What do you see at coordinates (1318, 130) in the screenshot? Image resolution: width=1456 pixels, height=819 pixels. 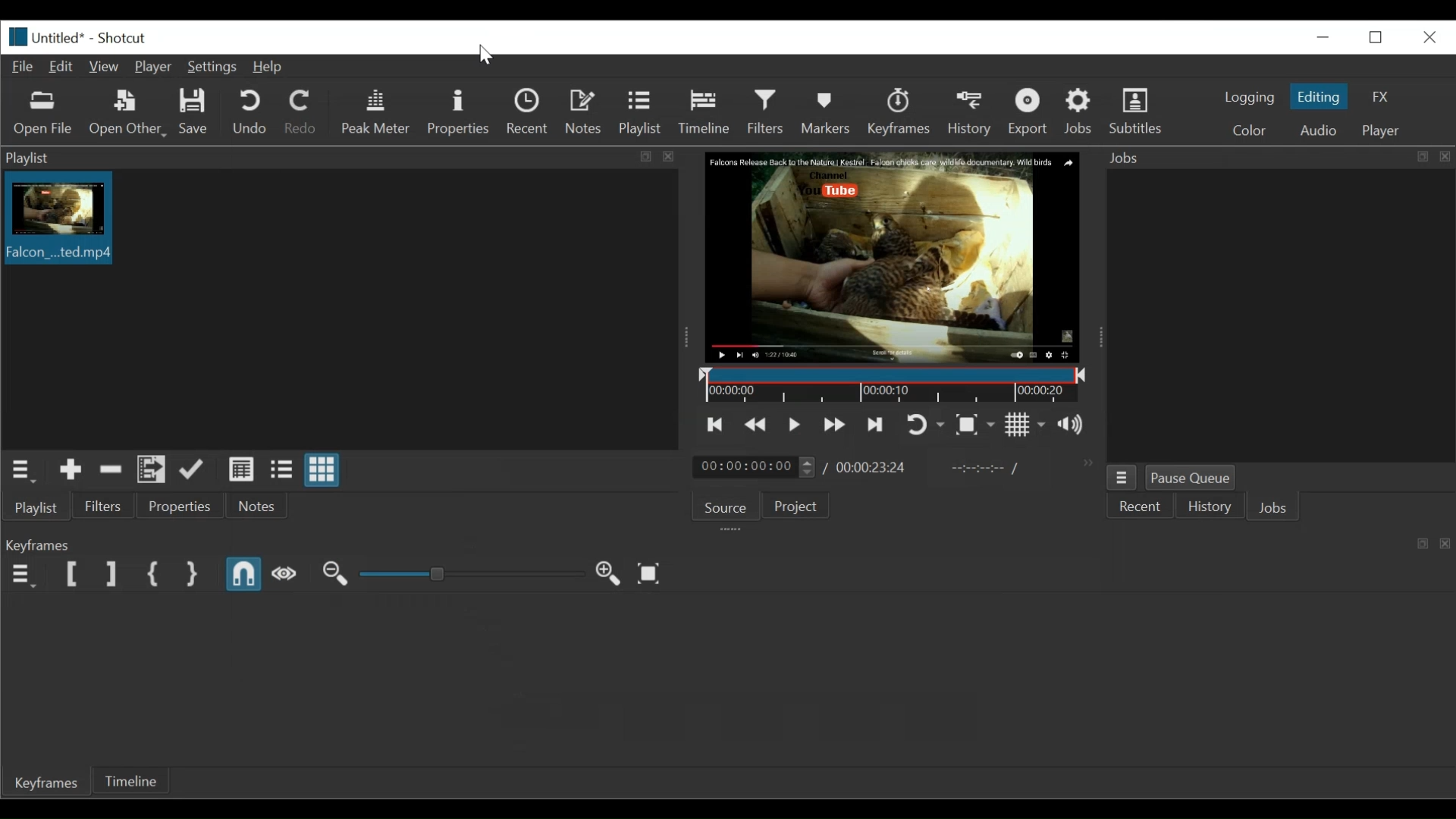 I see `Audio` at bounding box center [1318, 130].